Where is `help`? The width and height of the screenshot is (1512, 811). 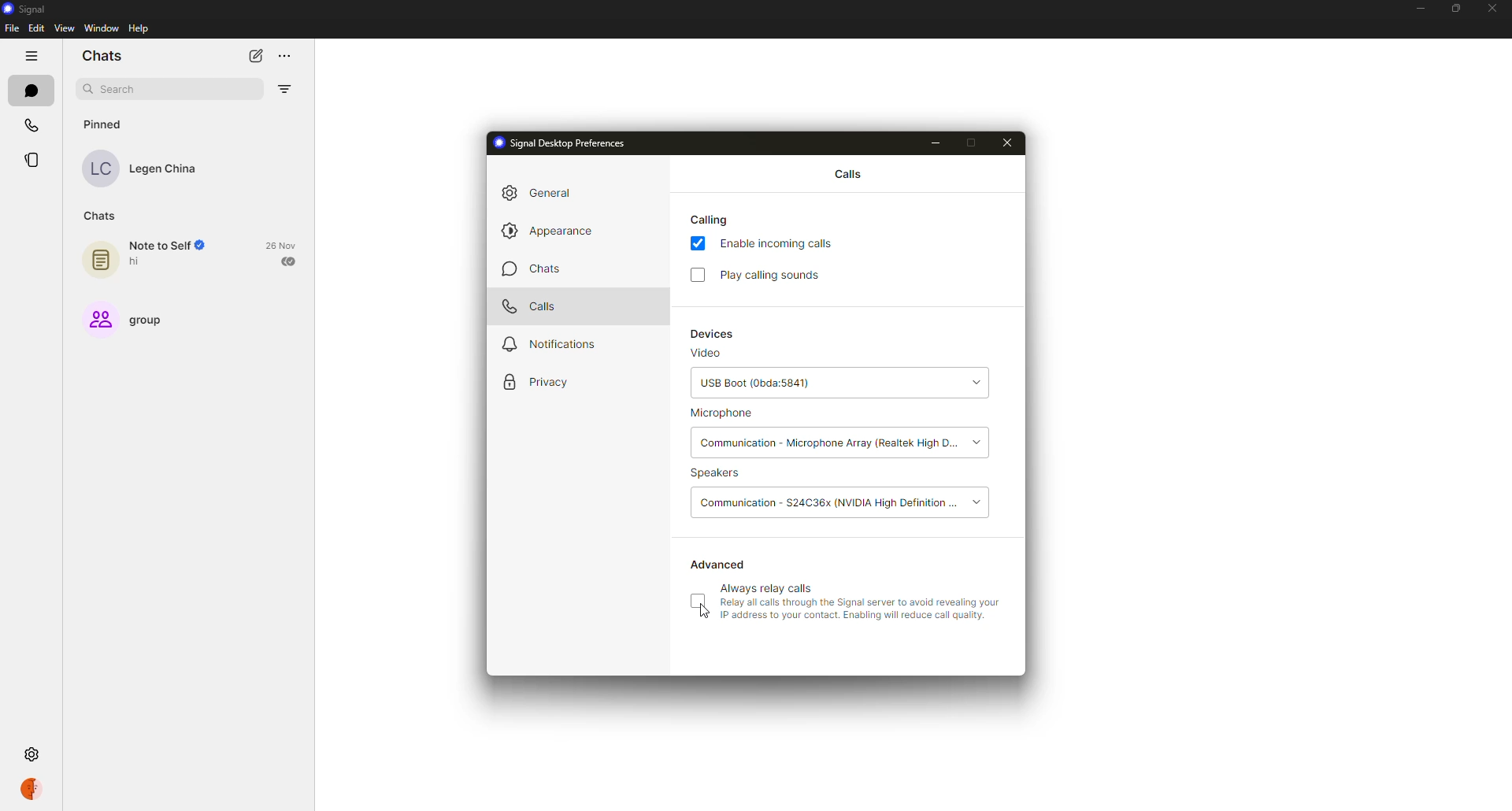
help is located at coordinates (139, 29).